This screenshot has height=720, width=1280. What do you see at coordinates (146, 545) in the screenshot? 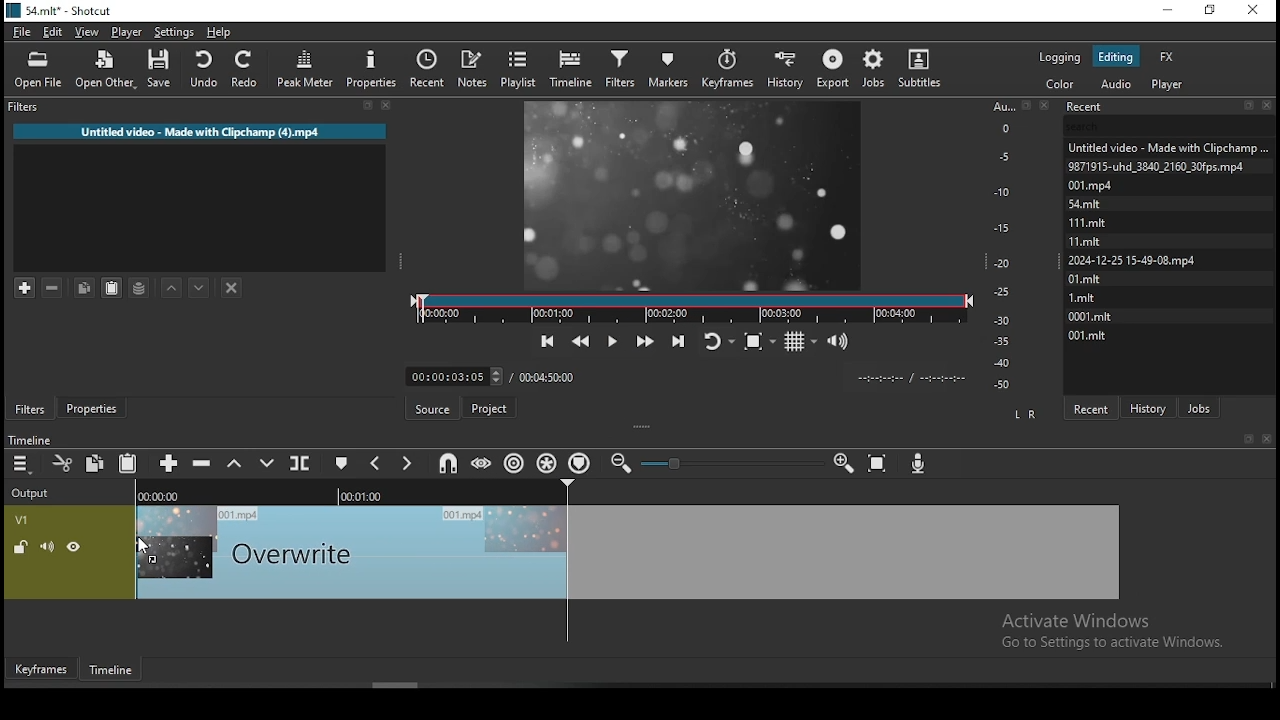
I see `mouse pointer` at bounding box center [146, 545].